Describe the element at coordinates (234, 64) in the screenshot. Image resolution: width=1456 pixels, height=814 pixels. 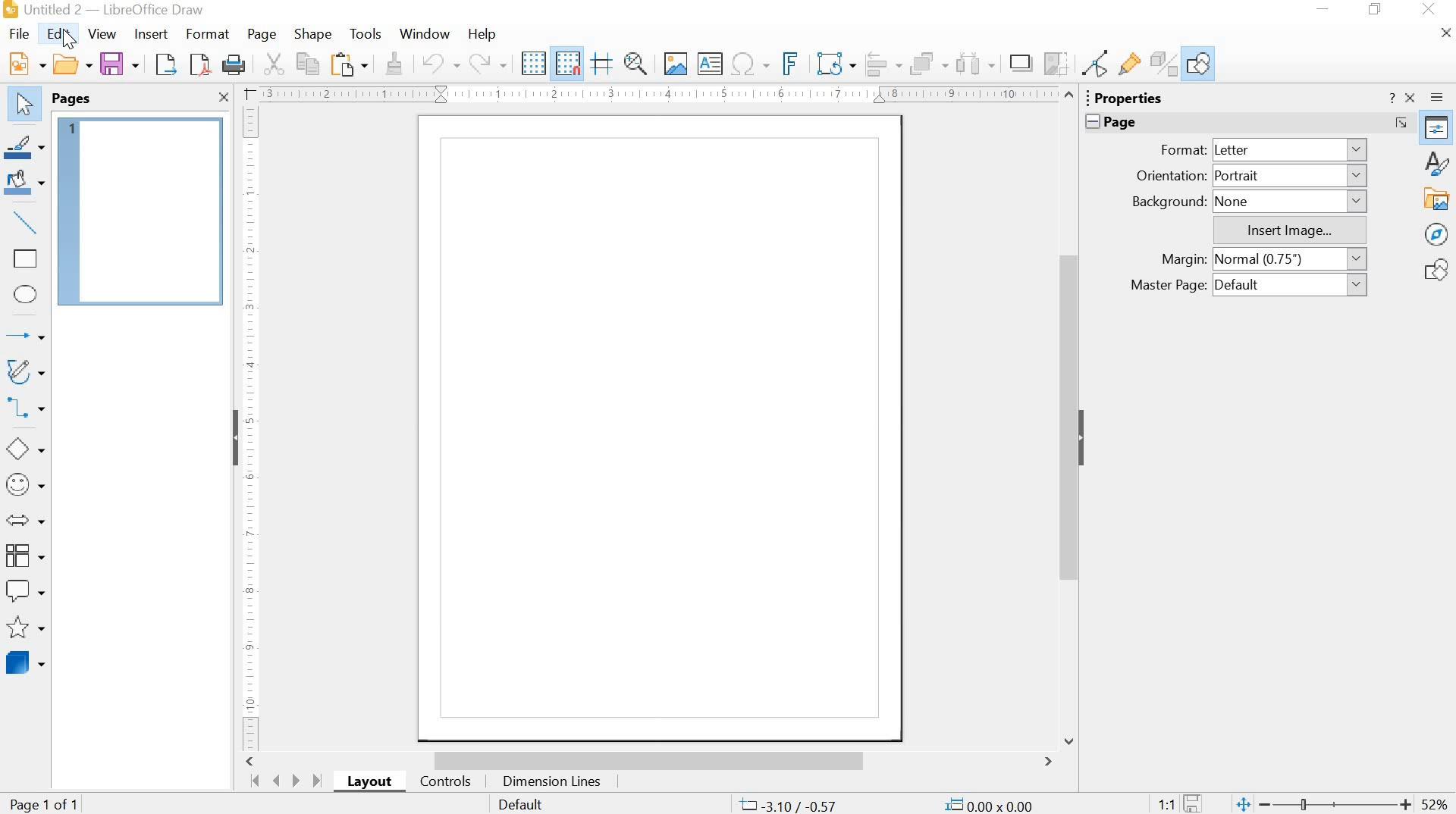
I see `Print` at that location.